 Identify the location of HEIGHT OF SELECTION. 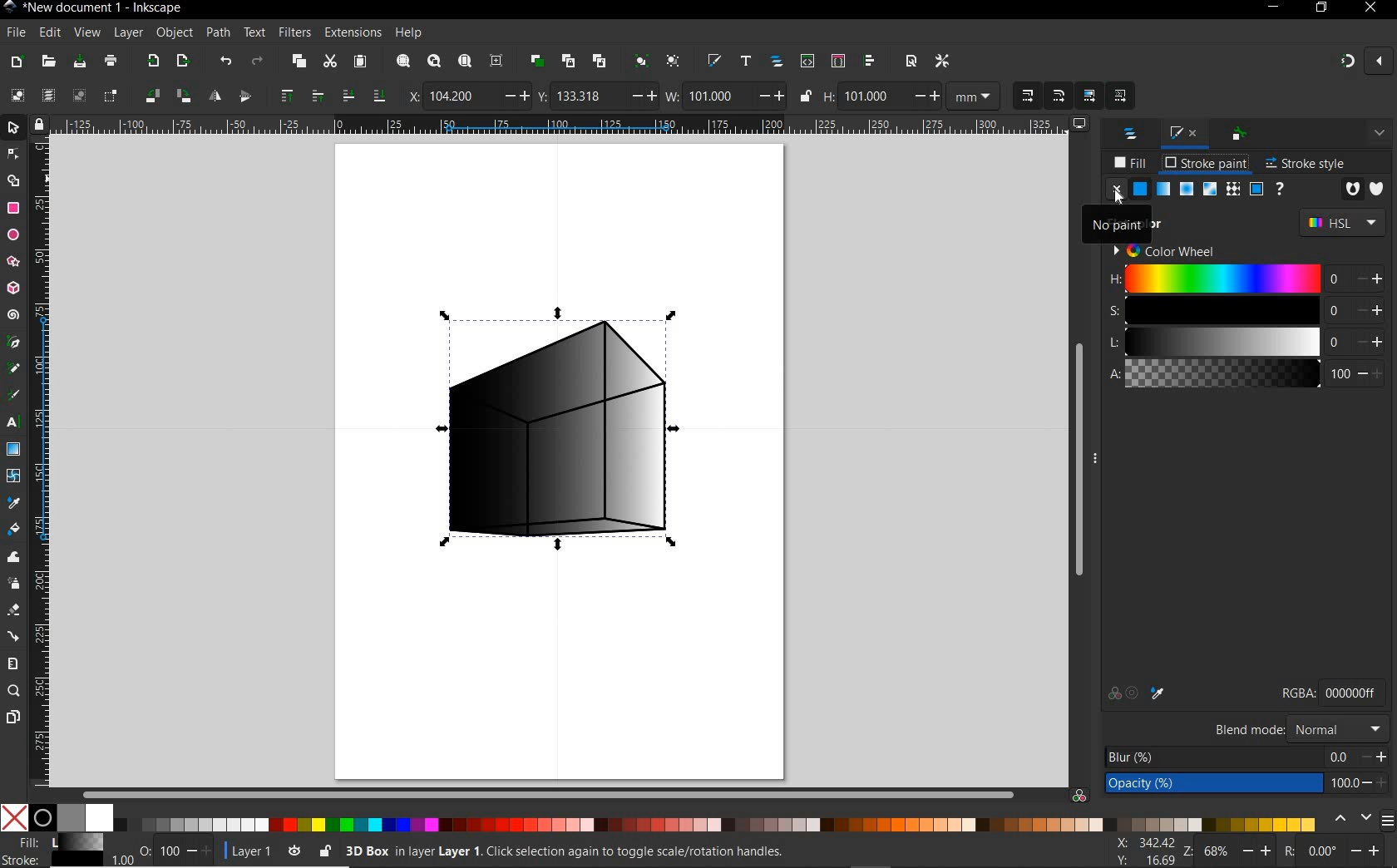
(830, 96).